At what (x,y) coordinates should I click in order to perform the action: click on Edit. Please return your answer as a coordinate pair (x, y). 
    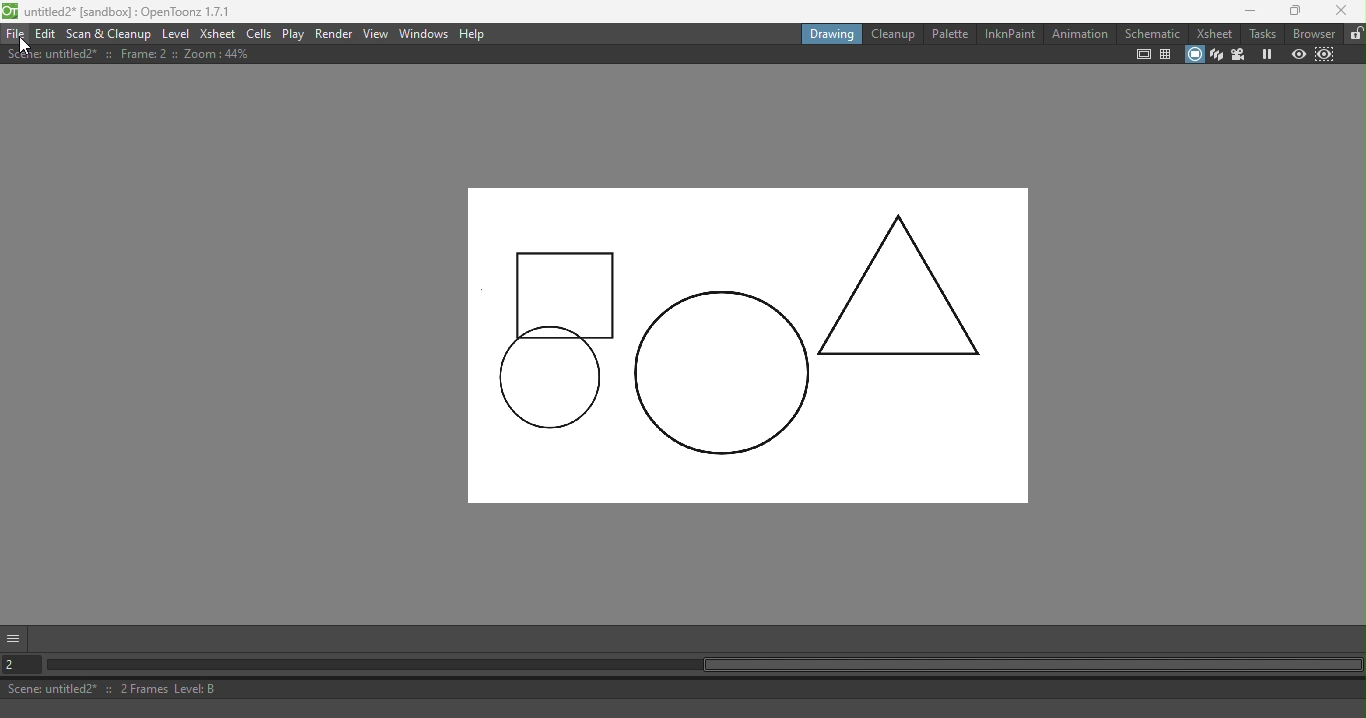
    Looking at the image, I should click on (47, 33).